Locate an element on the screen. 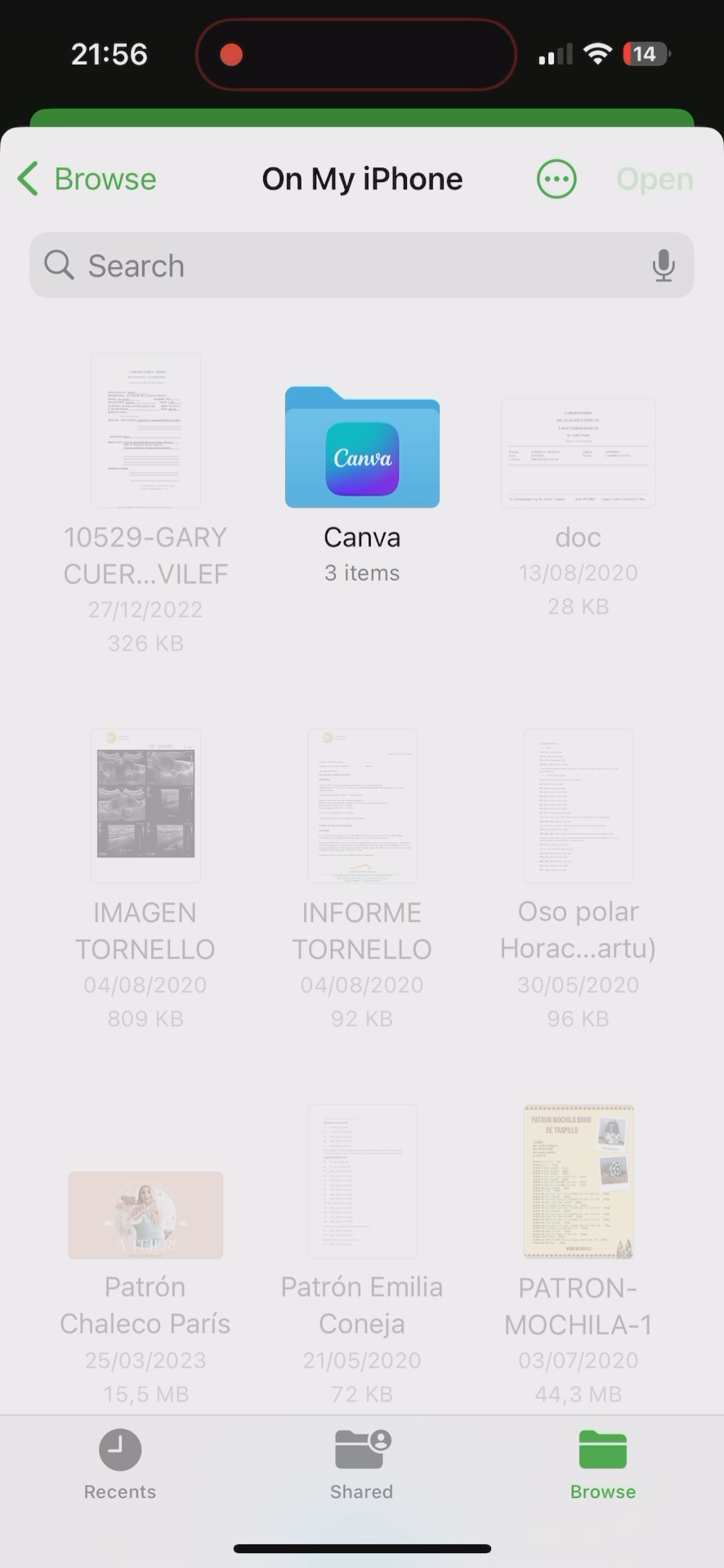 The height and width of the screenshot is (1568, 724). Patrén Emilia
Coneja is located at coordinates (365, 1241).